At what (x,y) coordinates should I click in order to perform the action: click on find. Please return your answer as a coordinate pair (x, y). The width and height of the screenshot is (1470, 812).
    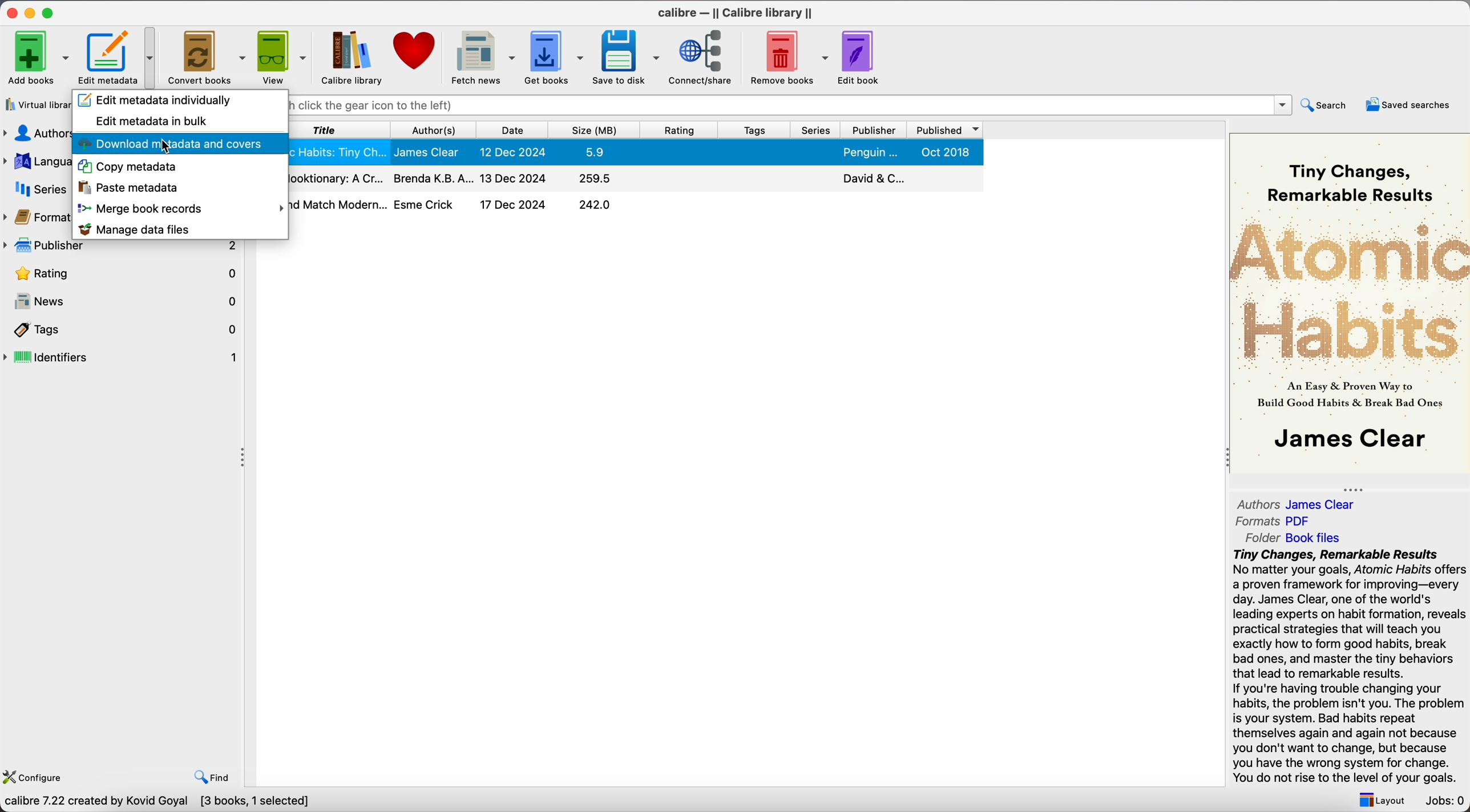
    Looking at the image, I should click on (213, 779).